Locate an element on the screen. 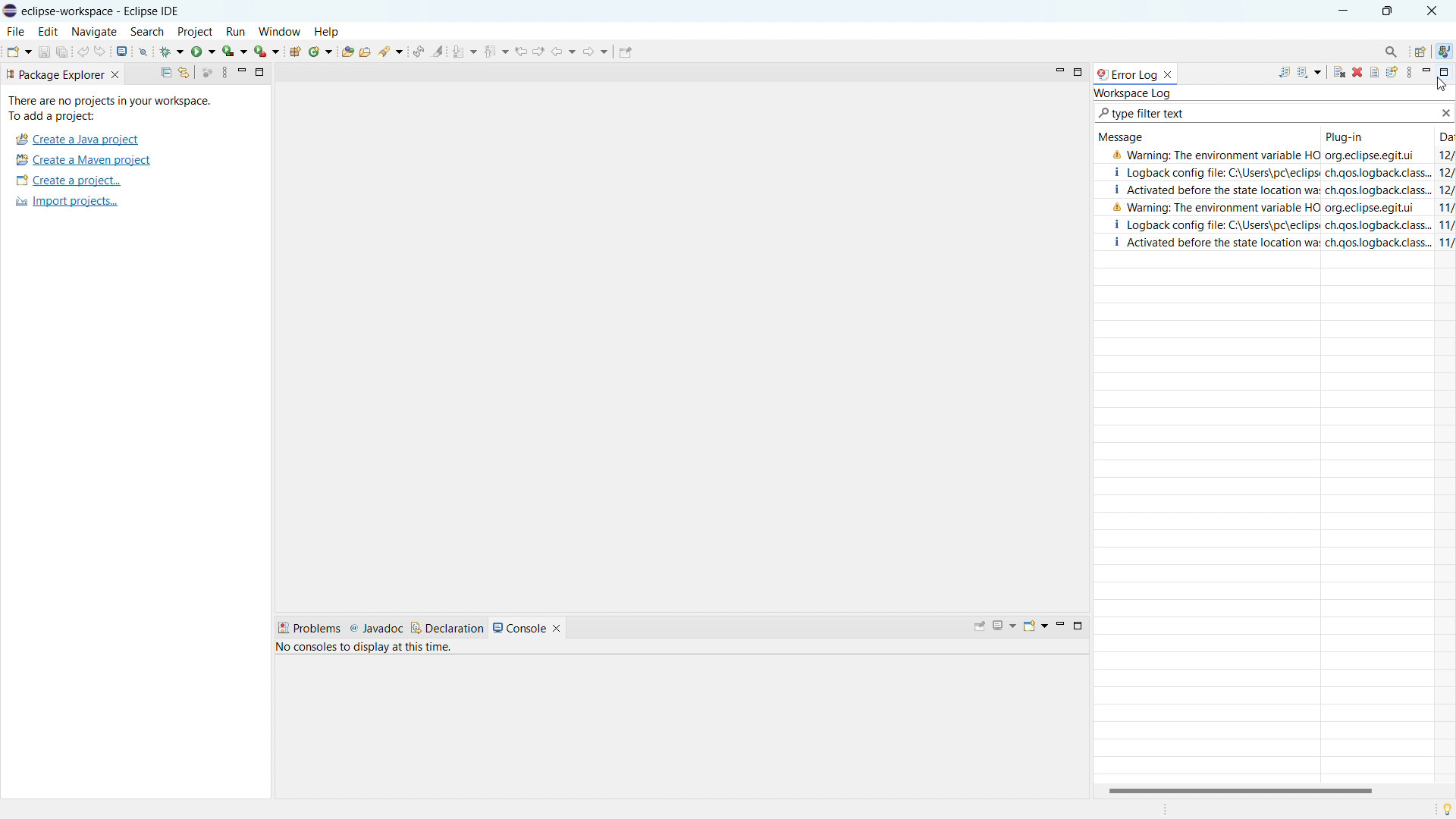 This screenshot has height=819, width=1456. maximize is located at coordinates (1083, 631).